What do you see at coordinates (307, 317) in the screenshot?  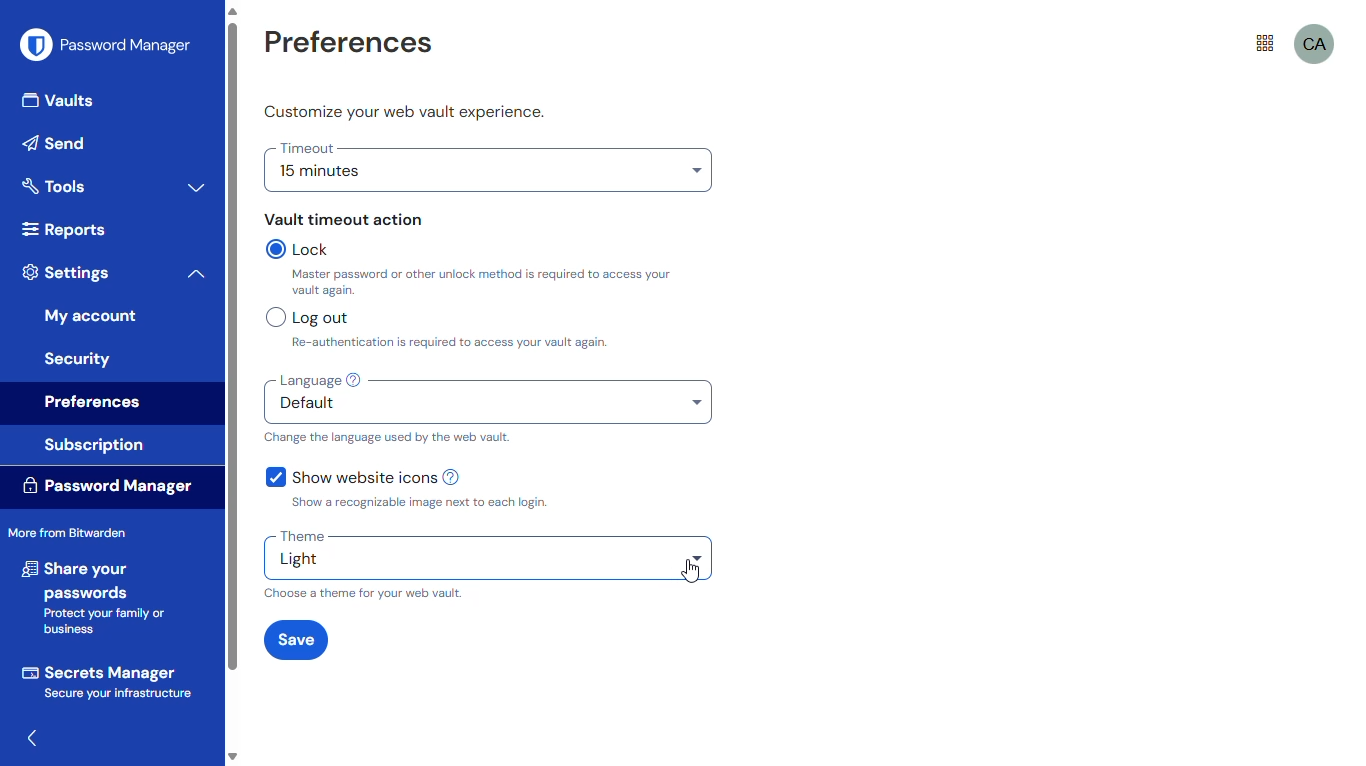 I see `log out` at bounding box center [307, 317].